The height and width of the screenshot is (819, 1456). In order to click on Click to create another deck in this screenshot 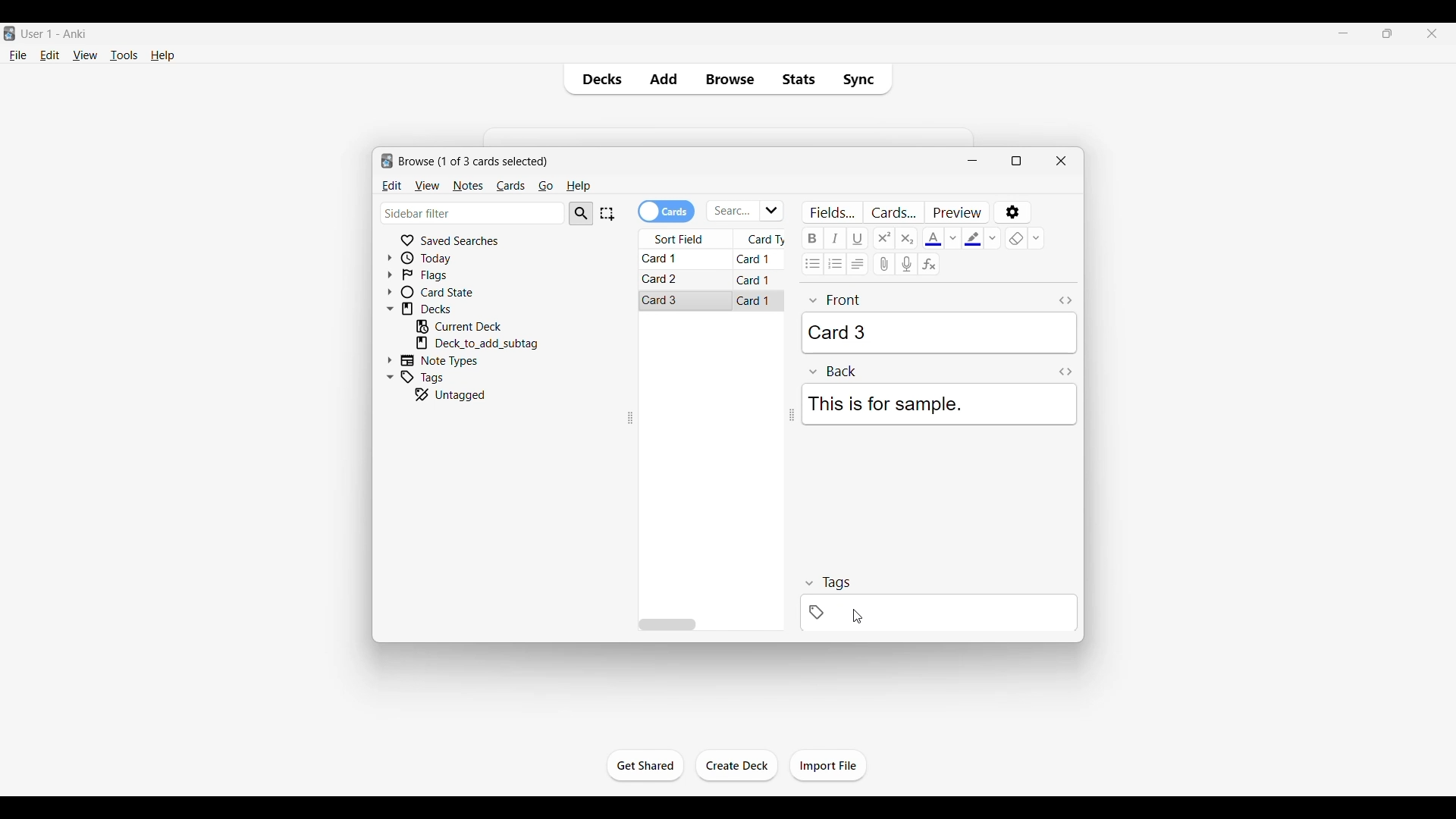, I will do `click(737, 765)`.